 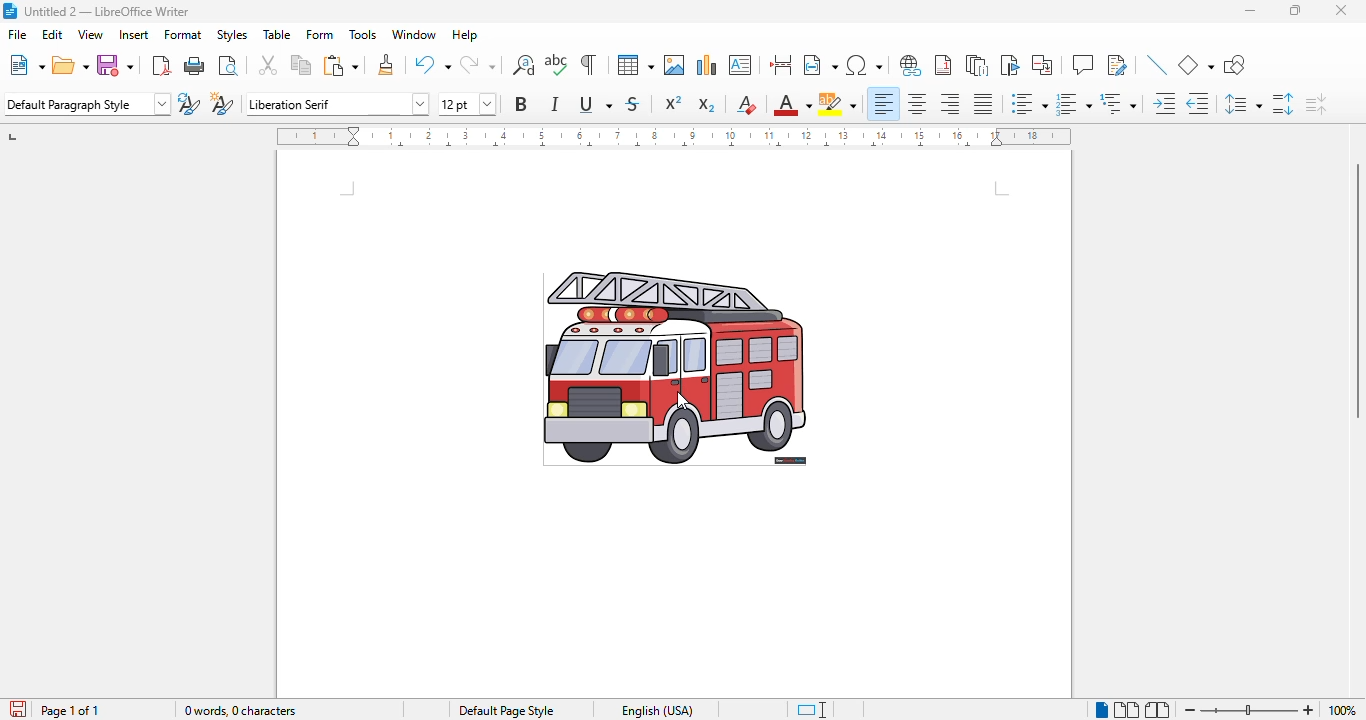 I want to click on text language, so click(x=657, y=710).